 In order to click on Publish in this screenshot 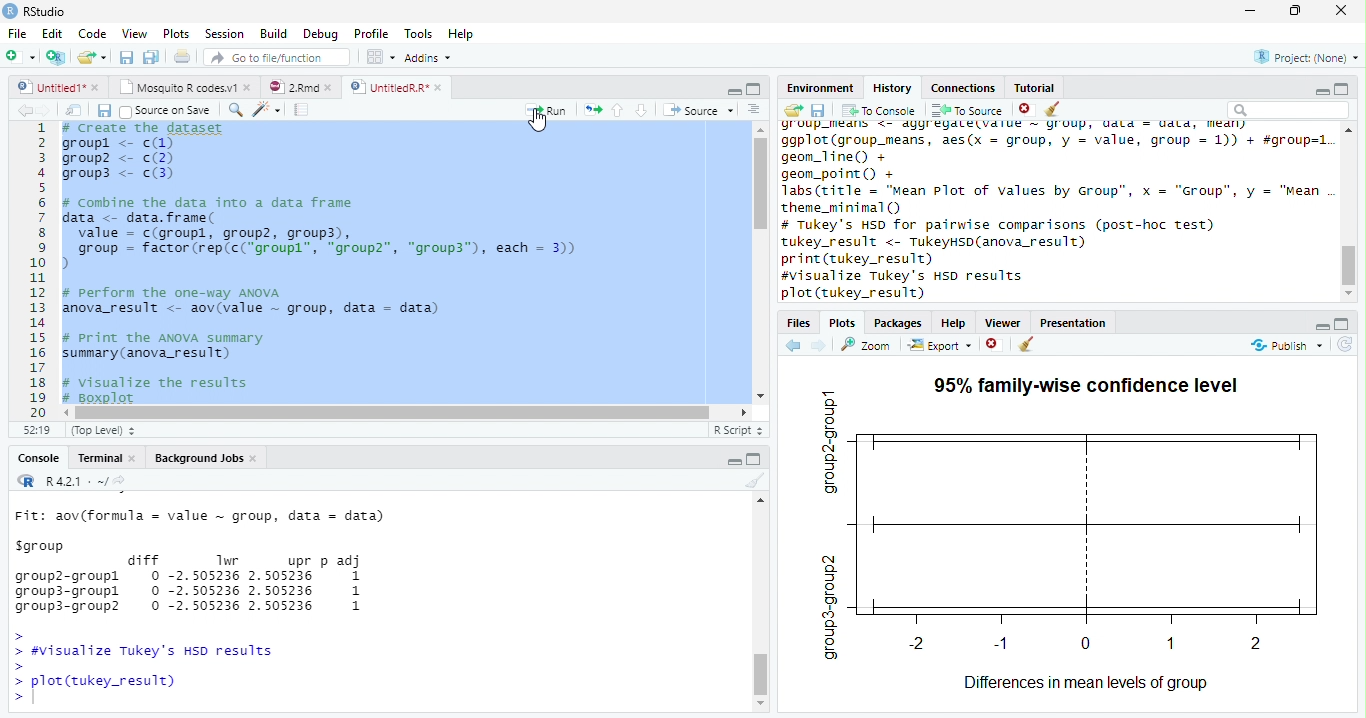, I will do `click(1287, 345)`.